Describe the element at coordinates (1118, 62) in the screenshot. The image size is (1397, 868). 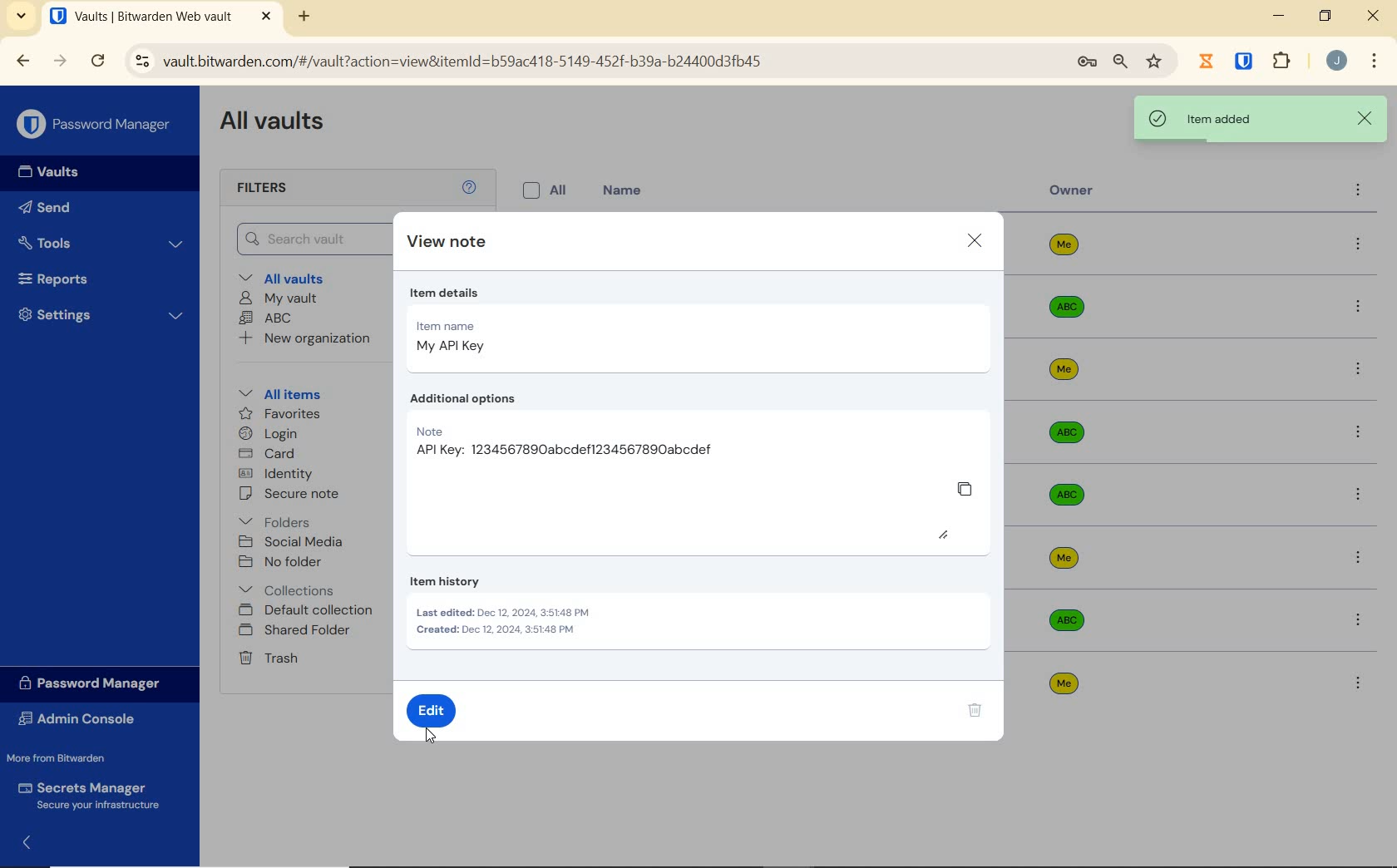
I see `zoom` at that location.